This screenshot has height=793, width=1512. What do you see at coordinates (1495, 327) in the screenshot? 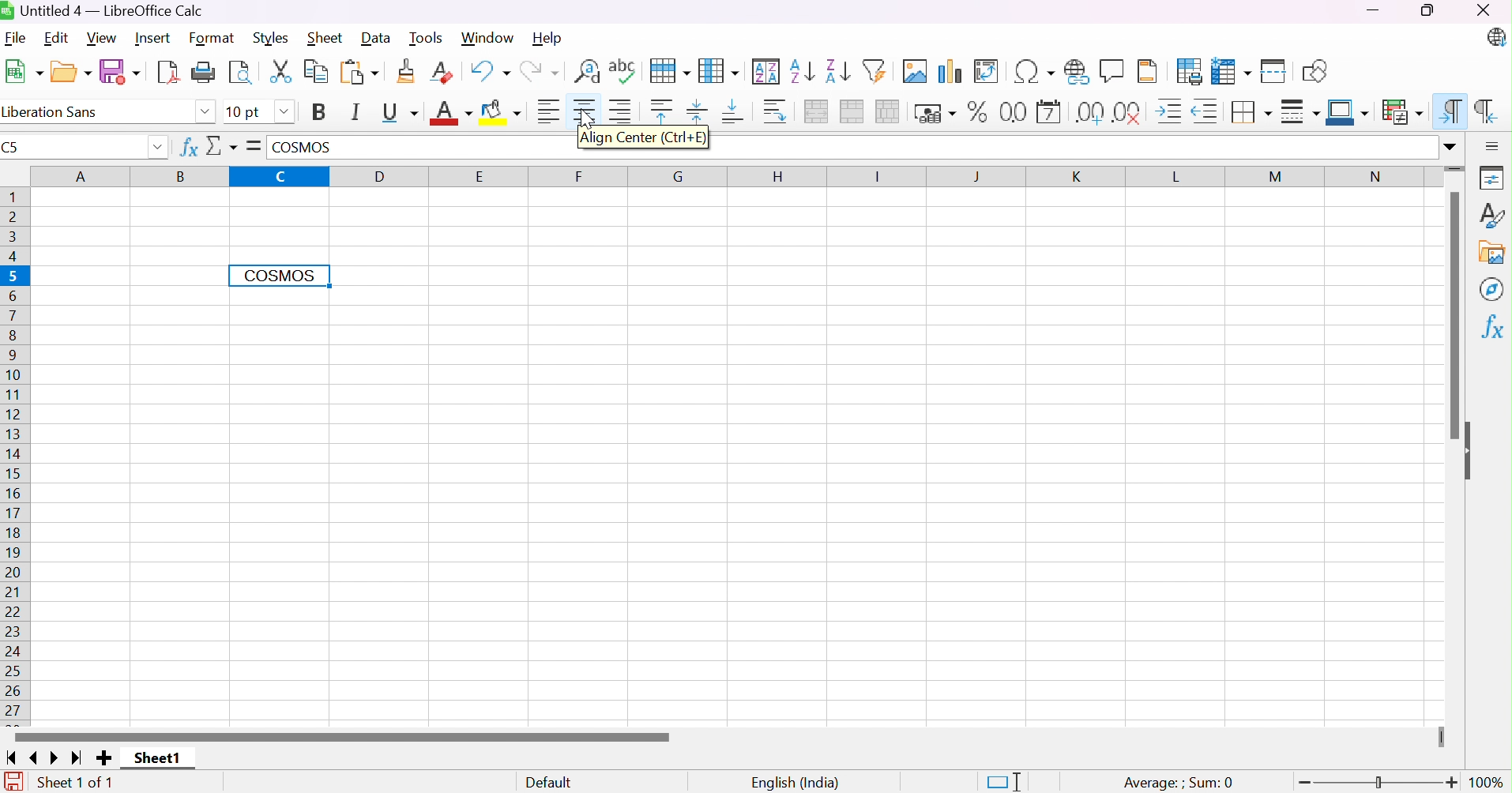
I see `Functions` at bounding box center [1495, 327].